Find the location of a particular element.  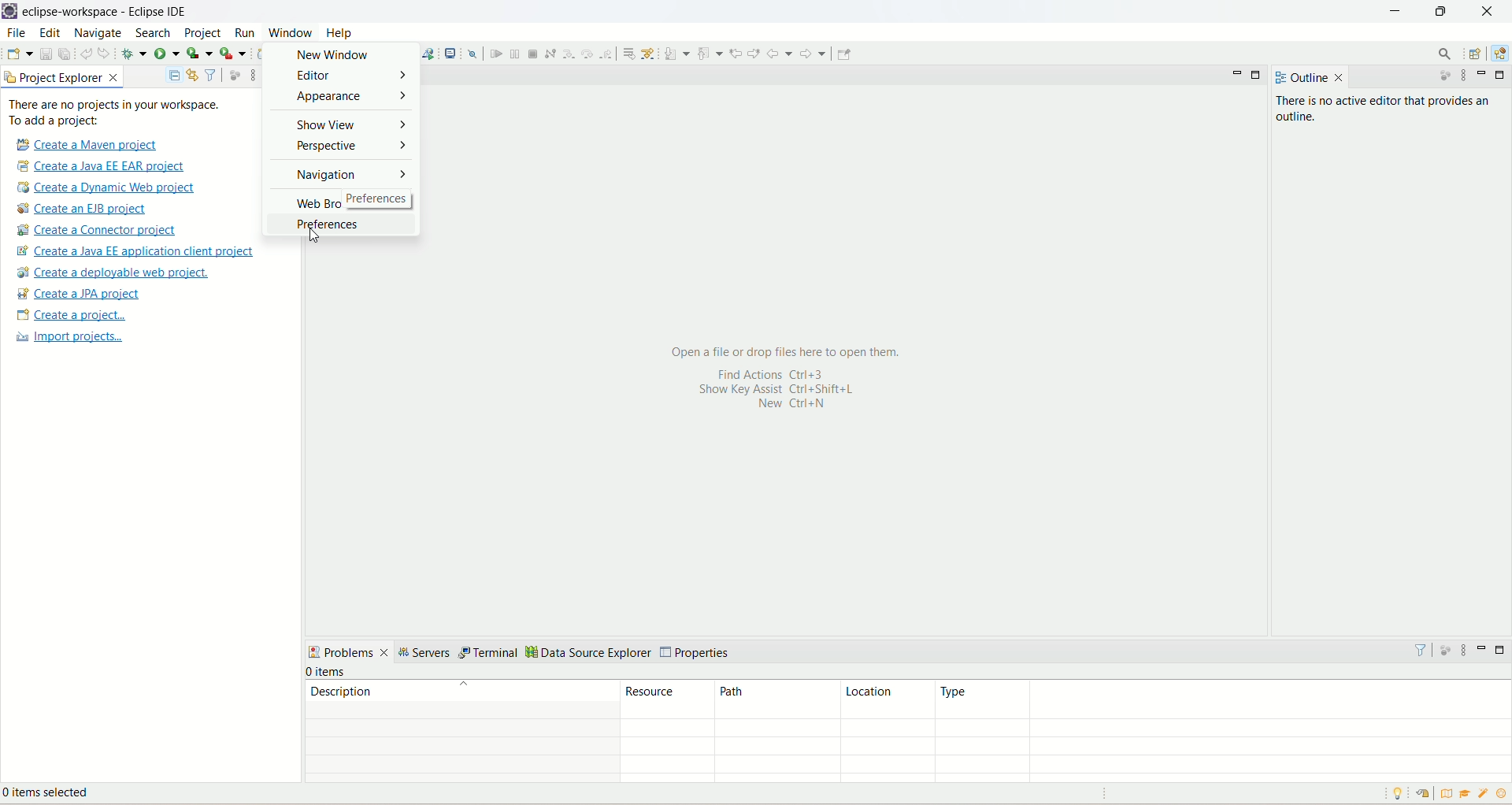

run is located at coordinates (166, 52).